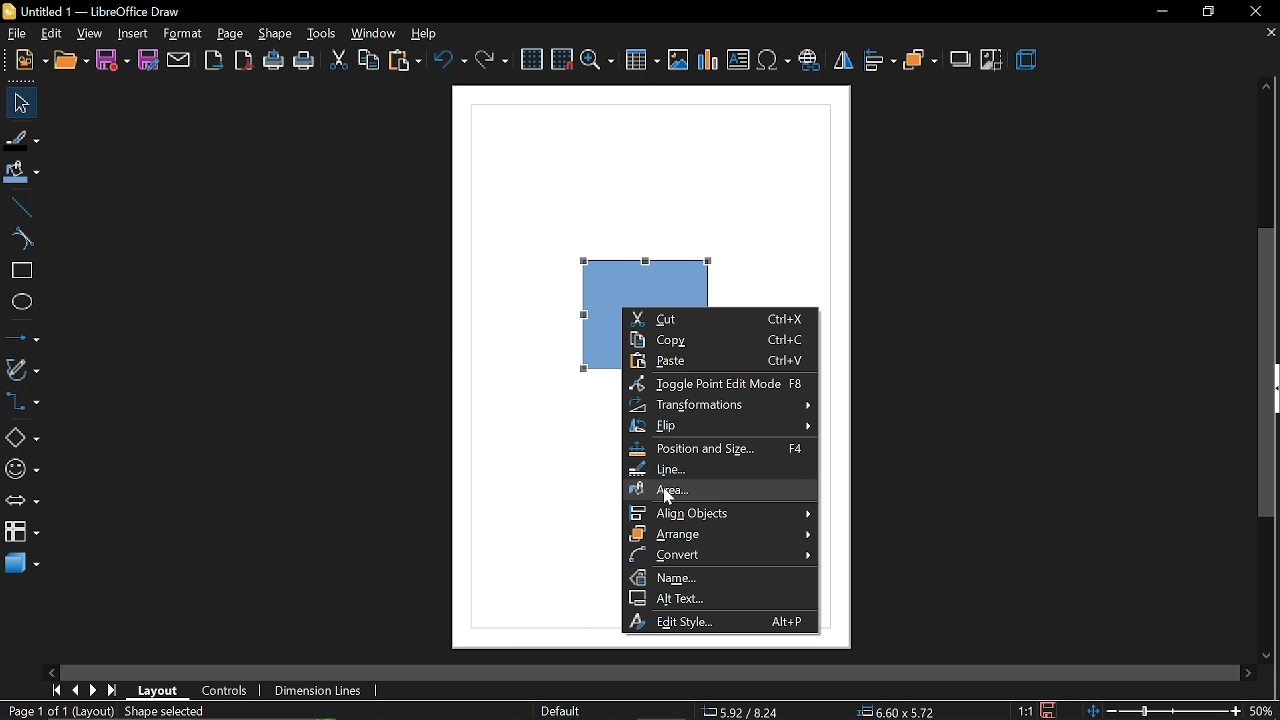 The width and height of the screenshot is (1280, 720). What do you see at coordinates (22, 503) in the screenshot?
I see `arrows` at bounding box center [22, 503].